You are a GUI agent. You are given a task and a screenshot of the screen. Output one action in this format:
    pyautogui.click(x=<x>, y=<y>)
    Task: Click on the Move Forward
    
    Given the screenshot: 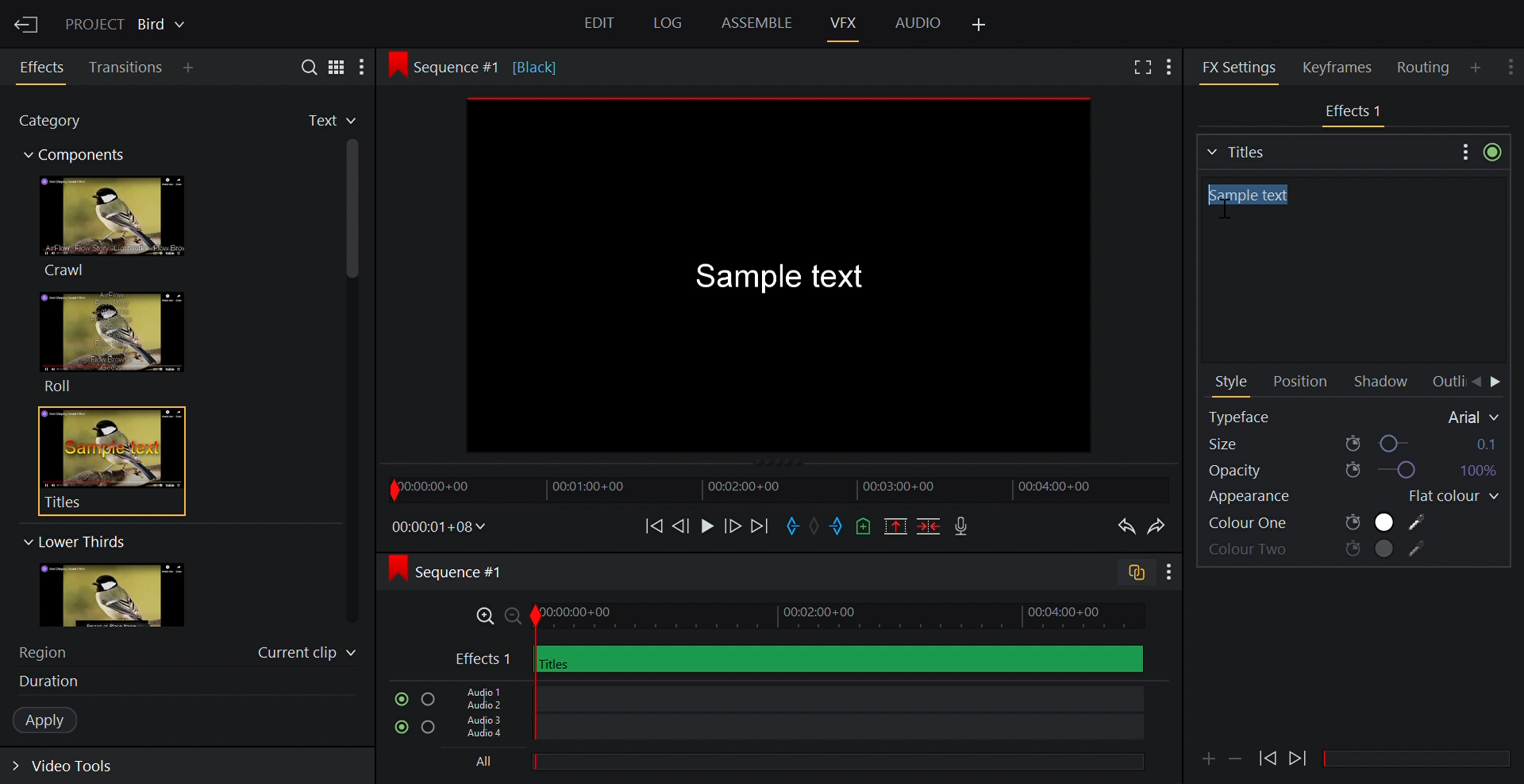 What is the action you would take?
    pyautogui.click(x=1497, y=383)
    